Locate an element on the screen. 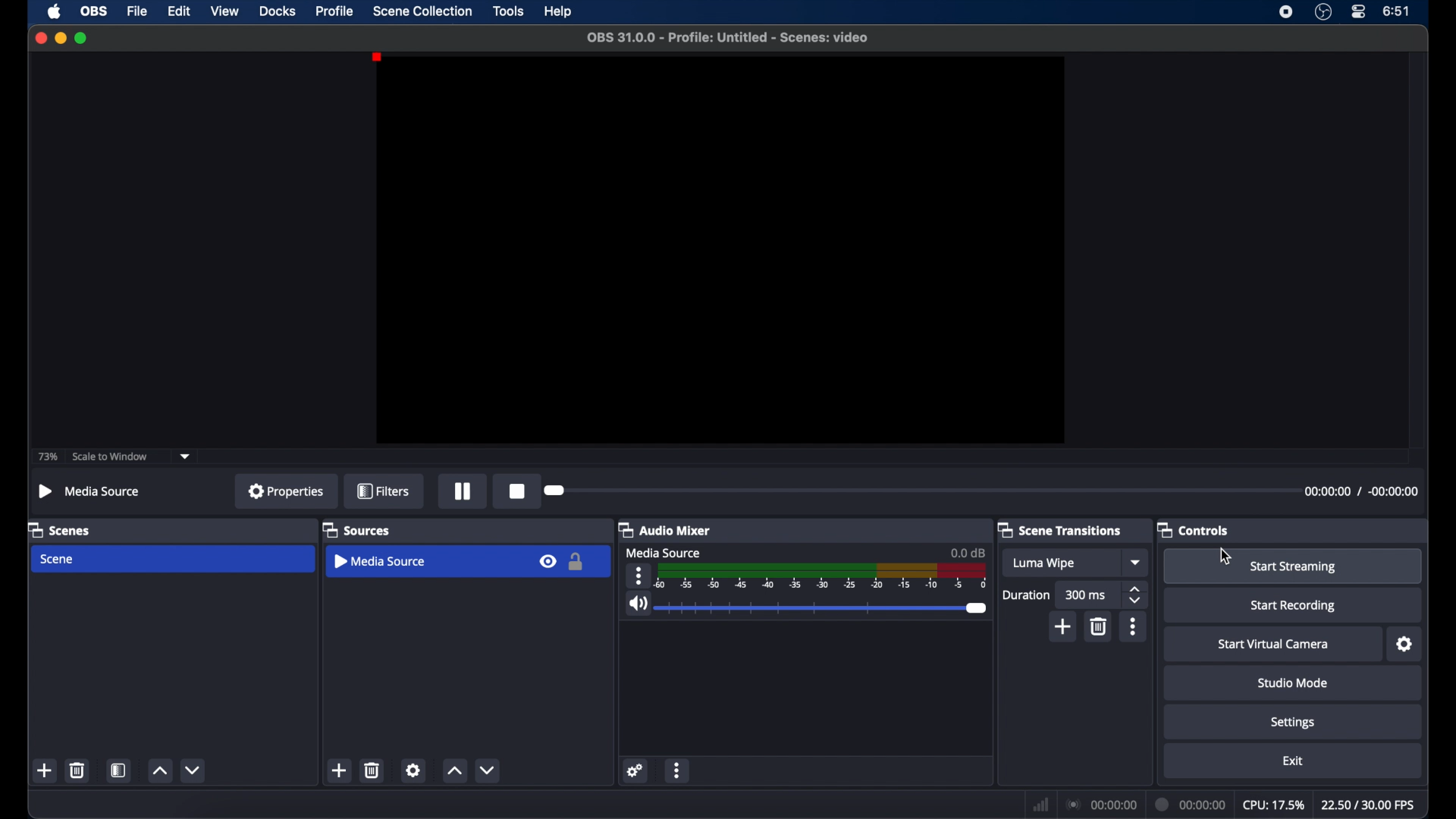 This screenshot has width=1456, height=819. start streaming is located at coordinates (1294, 567).